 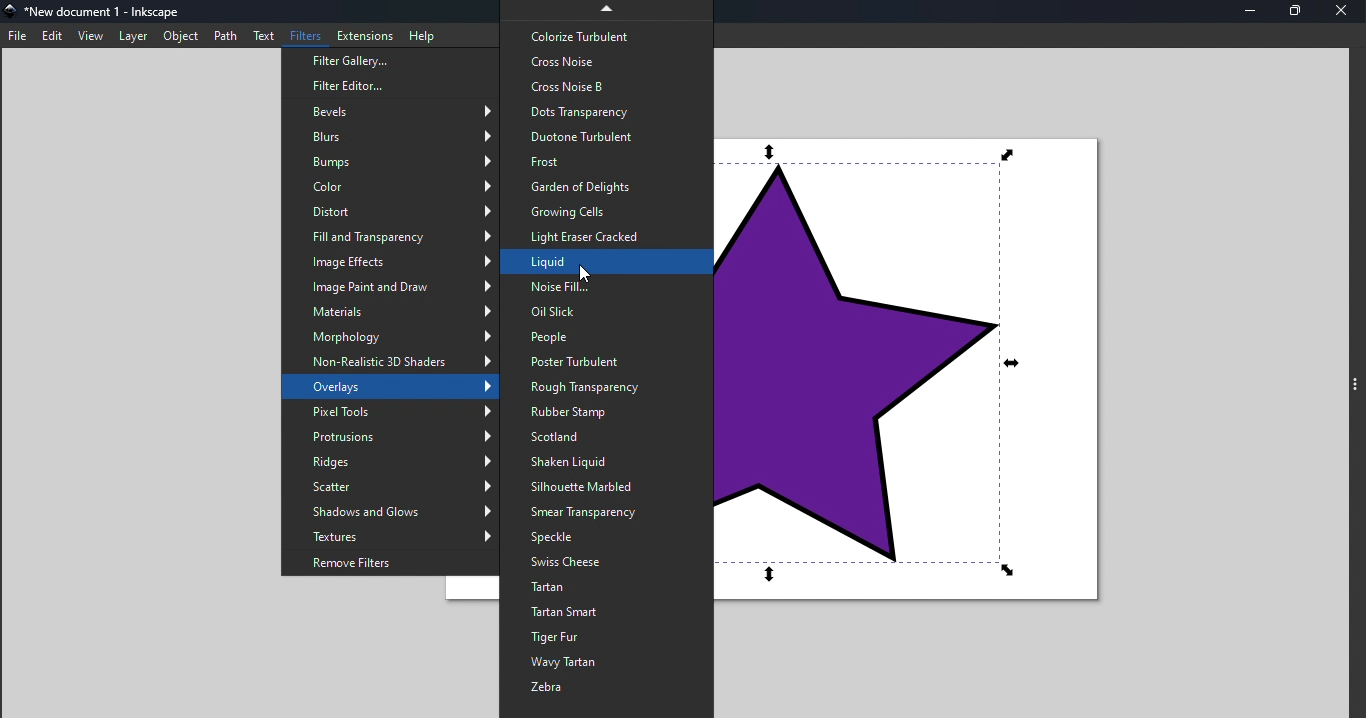 What do you see at coordinates (392, 361) in the screenshot?
I see `Non realistic 3D Shades` at bounding box center [392, 361].